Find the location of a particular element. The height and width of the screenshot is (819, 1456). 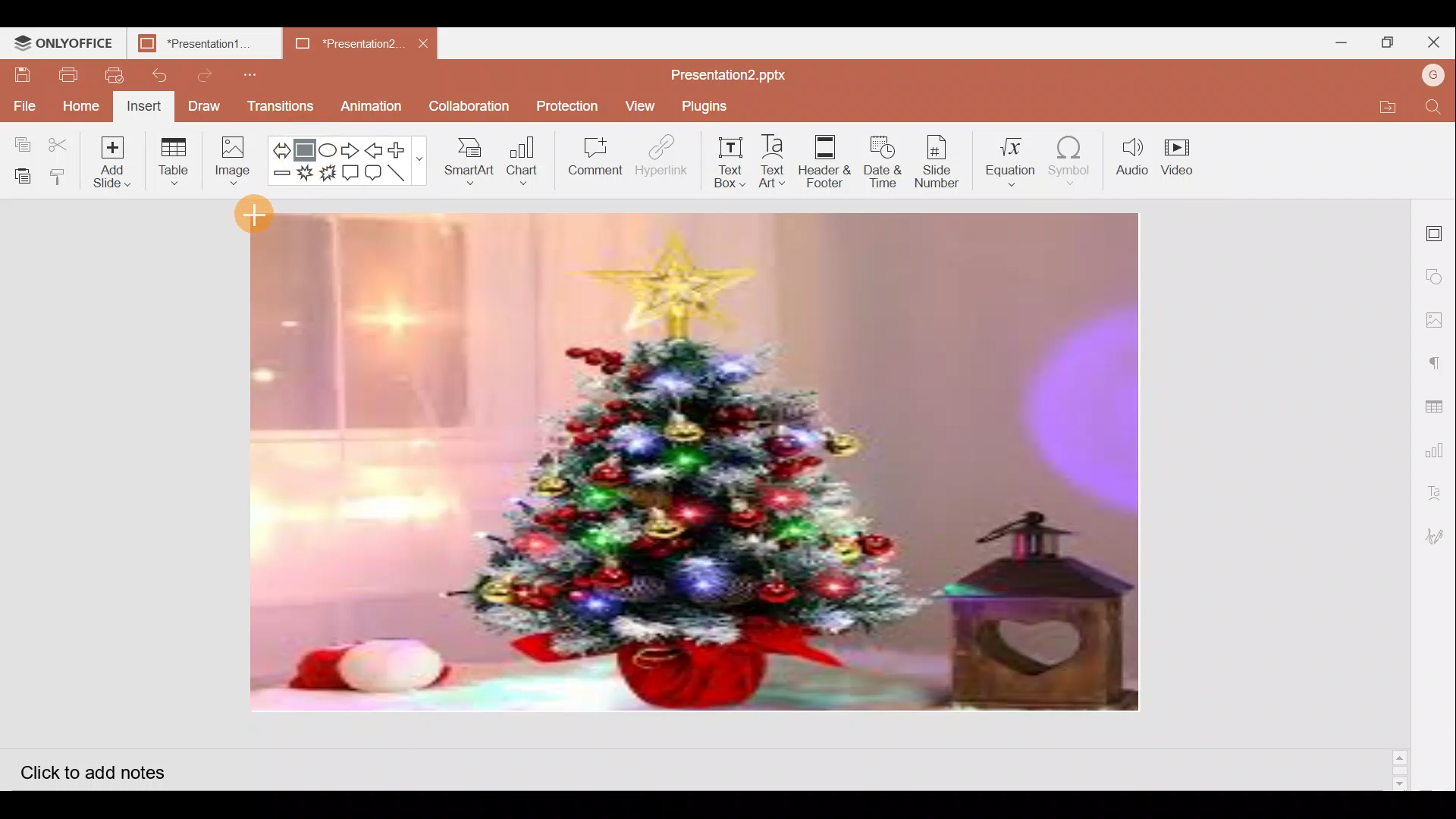

Insert is located at coordinates (146, 106).